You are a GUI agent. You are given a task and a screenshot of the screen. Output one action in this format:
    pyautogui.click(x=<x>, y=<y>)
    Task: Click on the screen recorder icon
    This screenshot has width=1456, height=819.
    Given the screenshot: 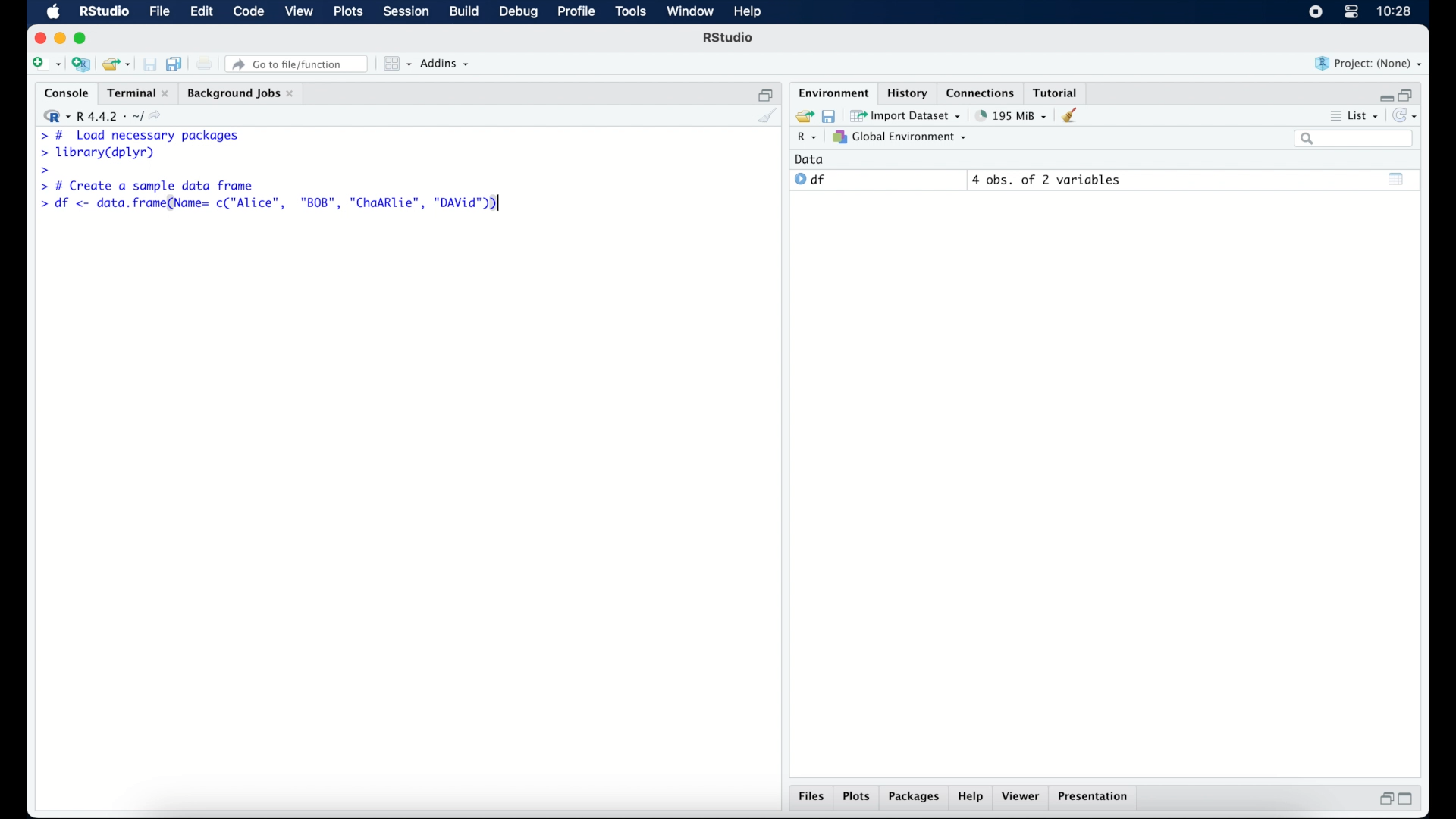 What is the action you would take?
    pyautogui.click(x=1314, y=12)
    